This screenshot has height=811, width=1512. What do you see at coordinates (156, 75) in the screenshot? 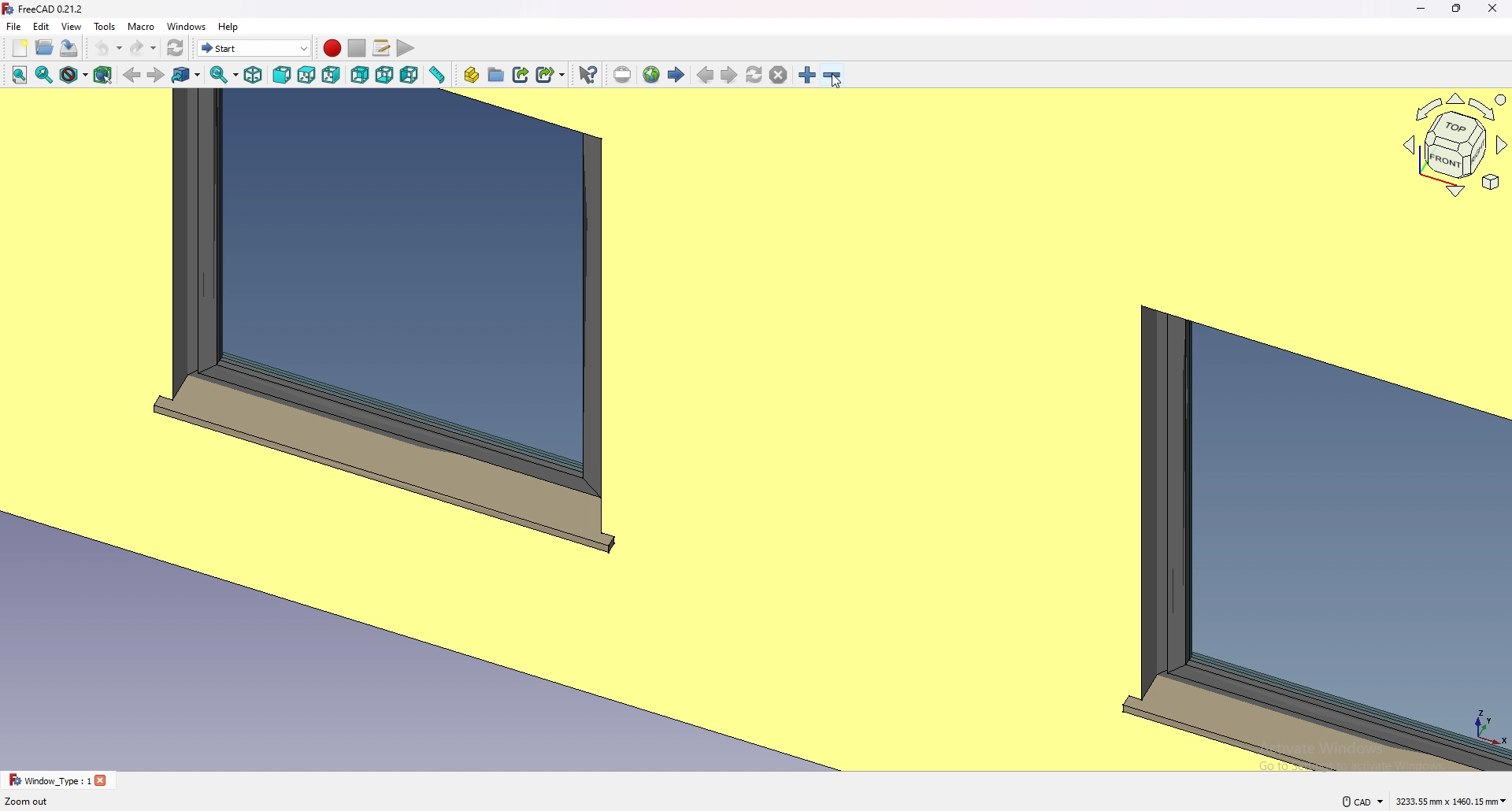
I see `forward` at bounding box center [156, 75].